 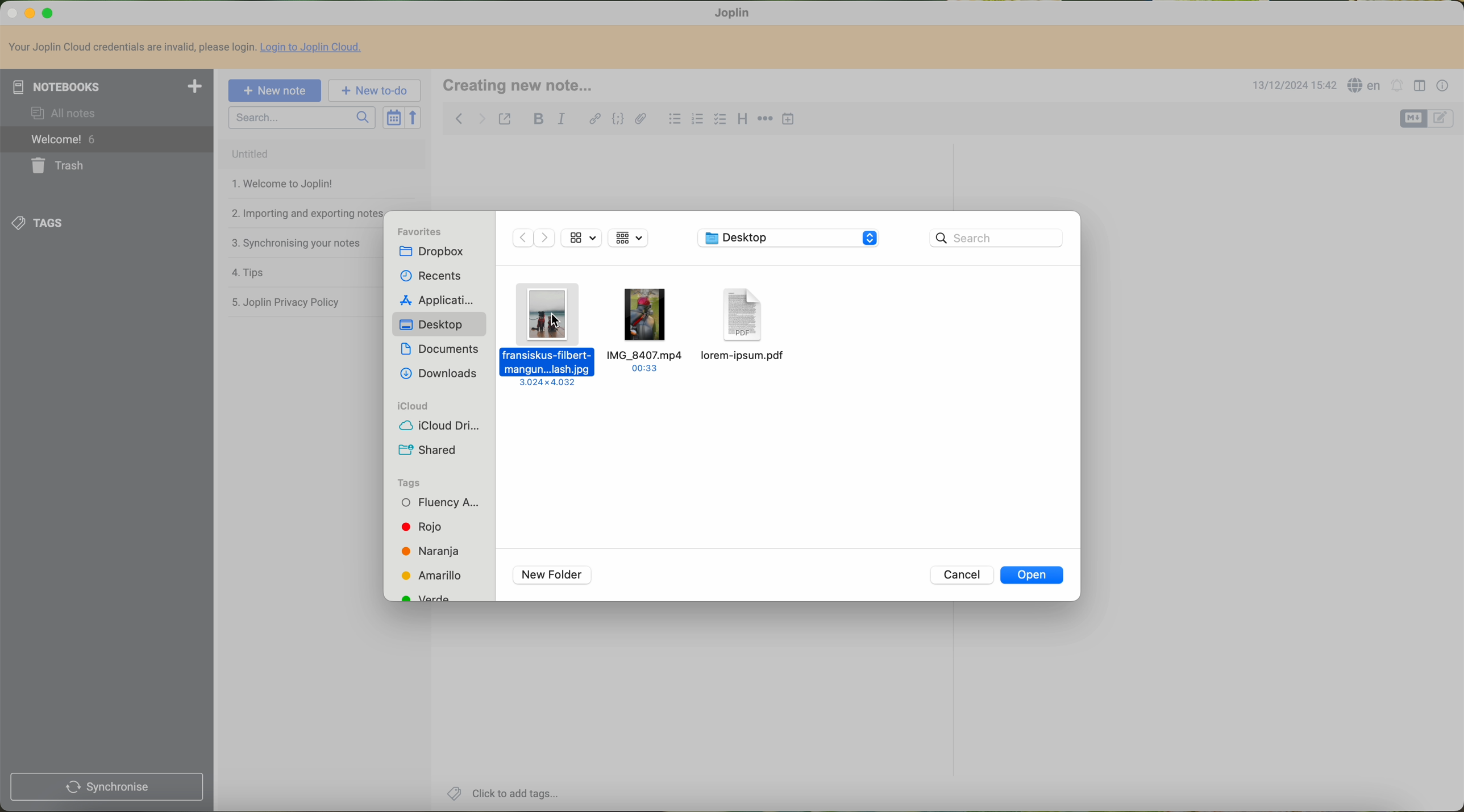 What do you see at coordinates (435, 325) in the screenshot?
I see `desktop` at bounding box center [435, 325].